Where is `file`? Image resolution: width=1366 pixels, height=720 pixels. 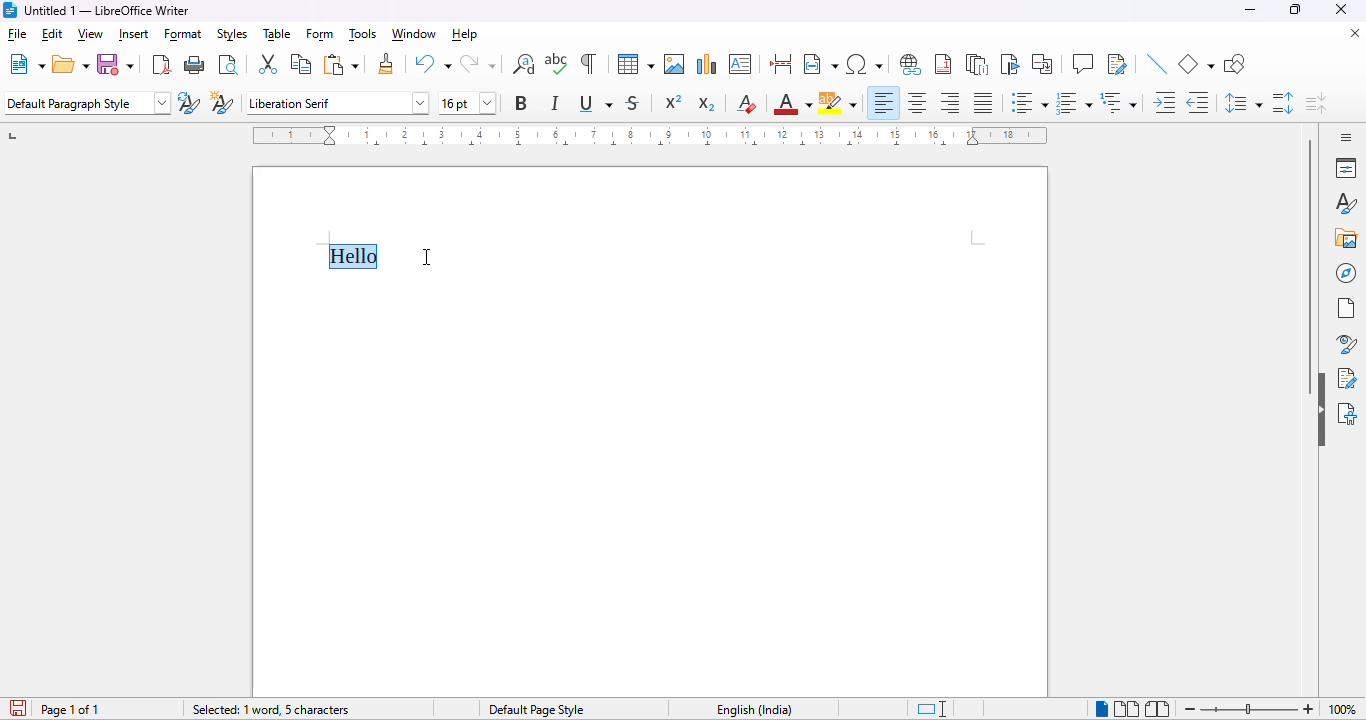 file is located at coordinates (16, 34).